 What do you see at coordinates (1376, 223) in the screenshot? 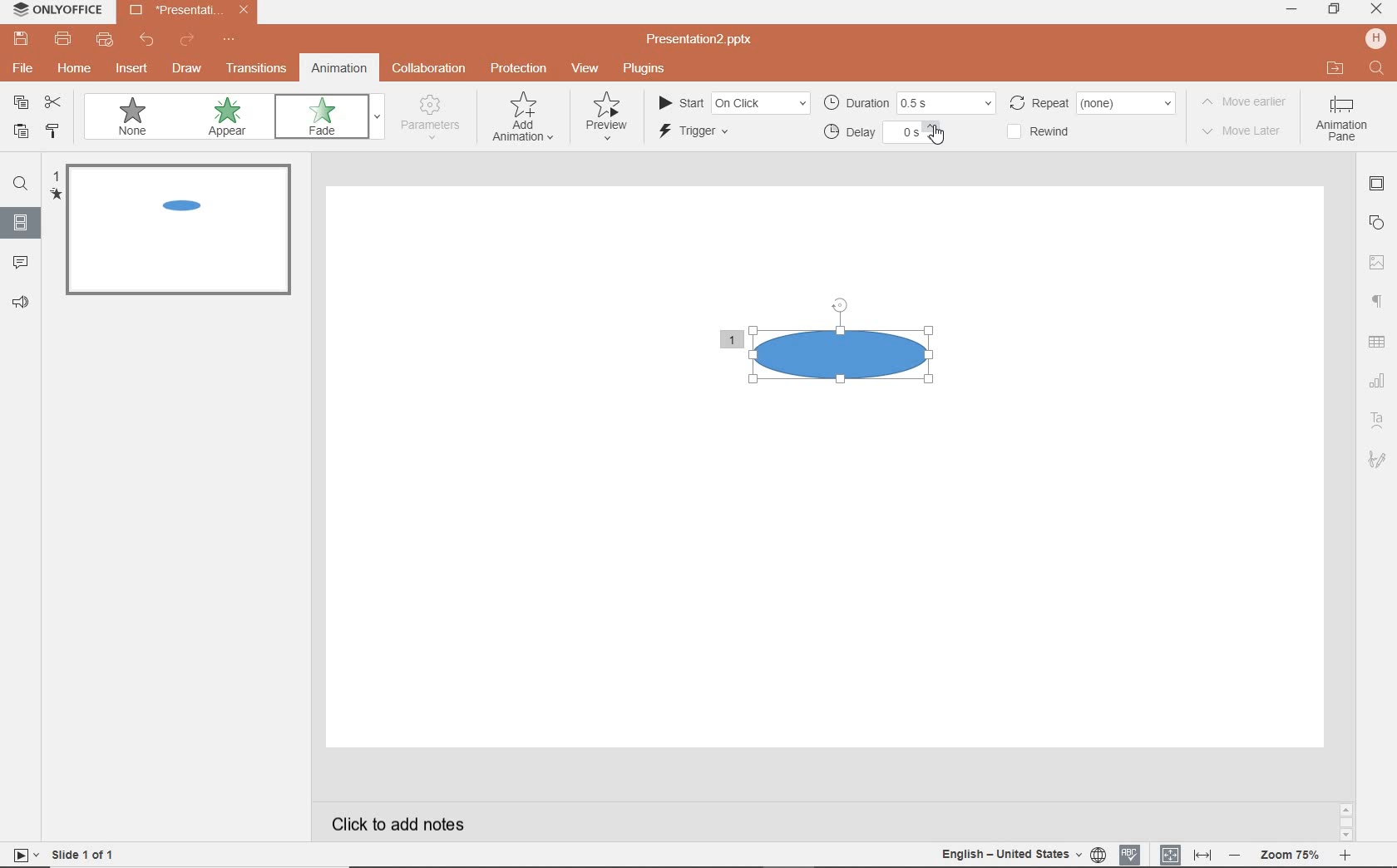
I see `shape settings` at bounding box center [1376, 223].